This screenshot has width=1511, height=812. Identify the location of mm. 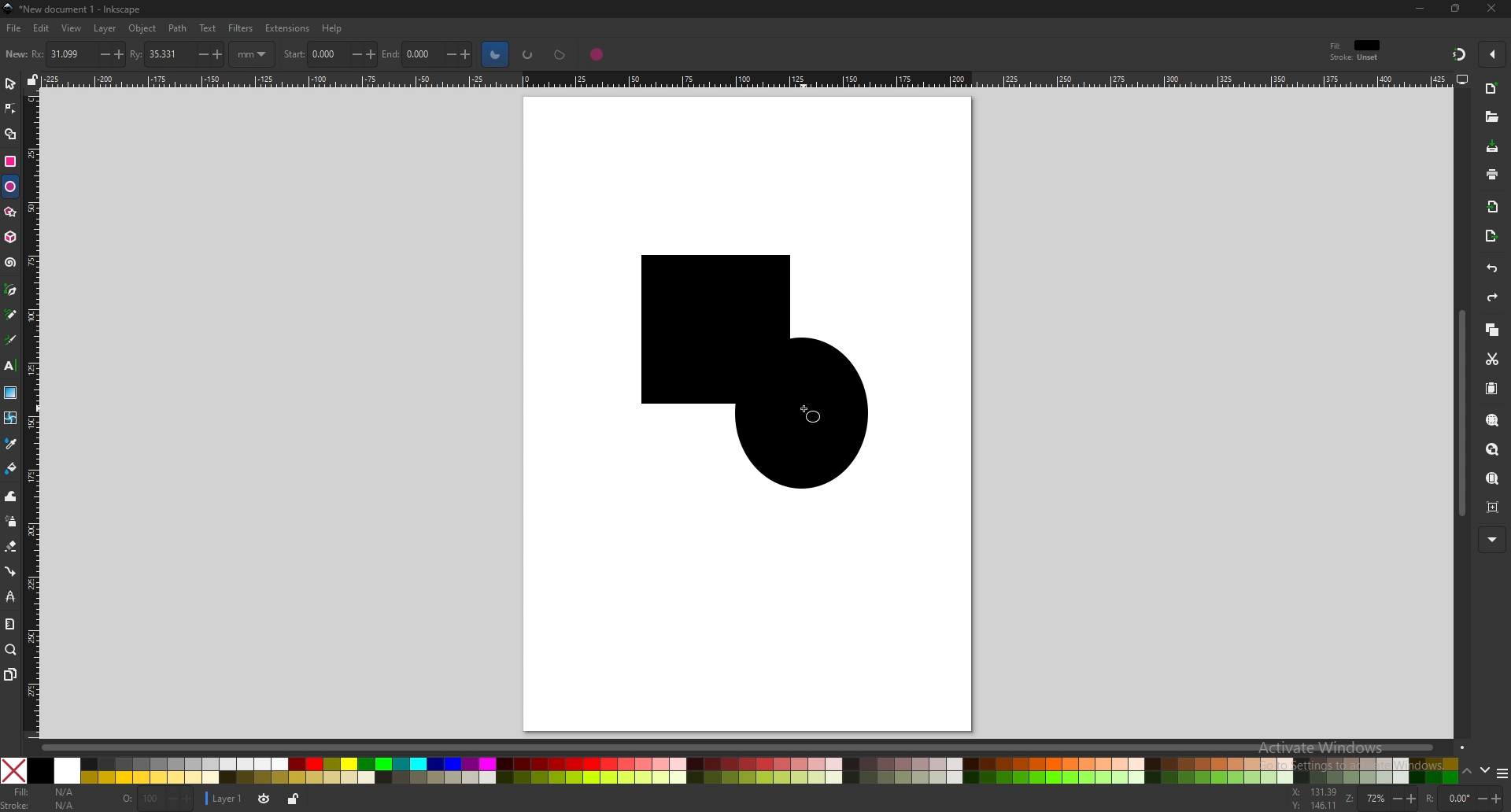
(253, 54).